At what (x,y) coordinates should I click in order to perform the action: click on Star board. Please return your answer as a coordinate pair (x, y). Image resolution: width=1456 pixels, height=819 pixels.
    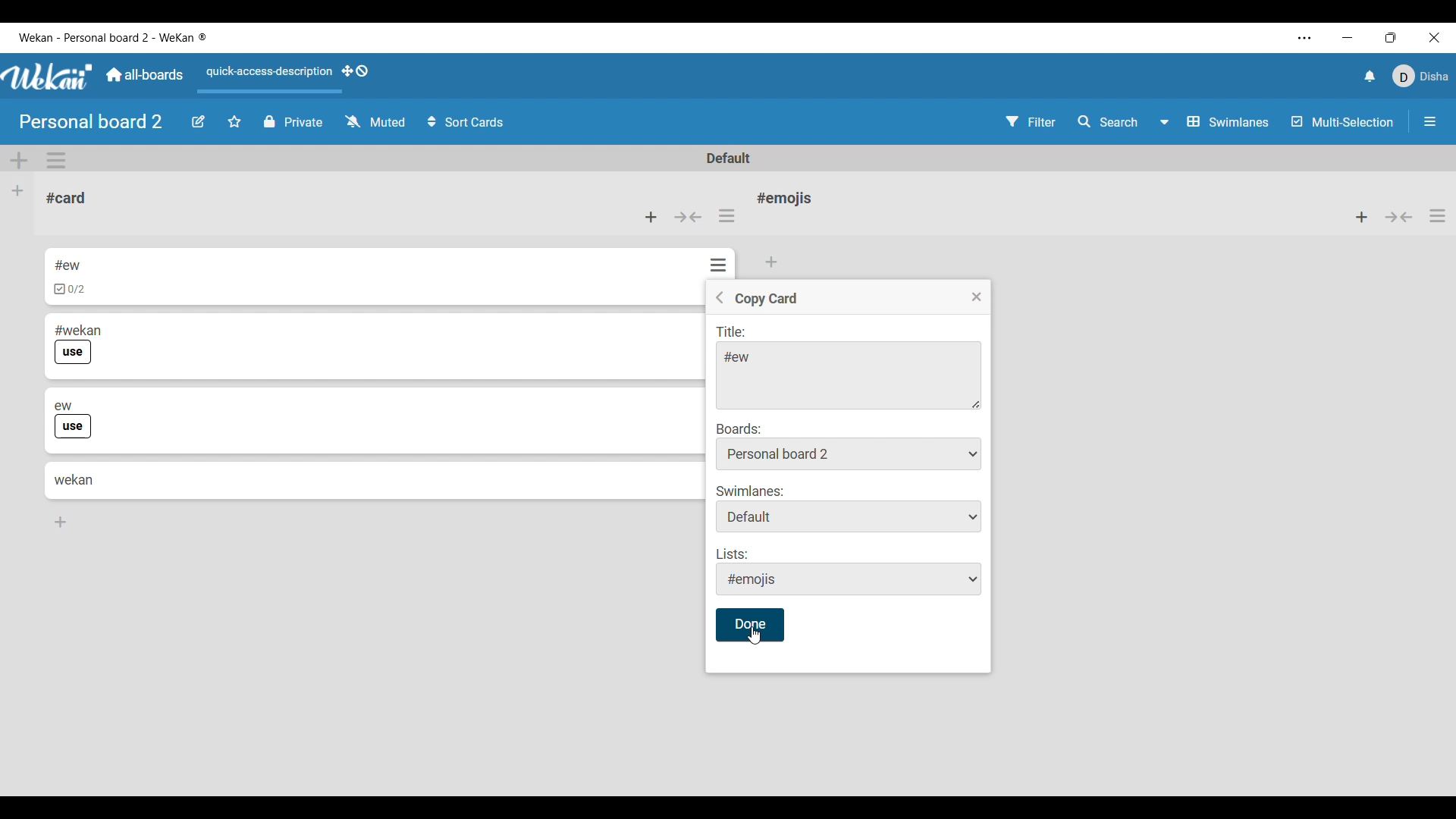
    Looking at the image, I should click on (234, 121).